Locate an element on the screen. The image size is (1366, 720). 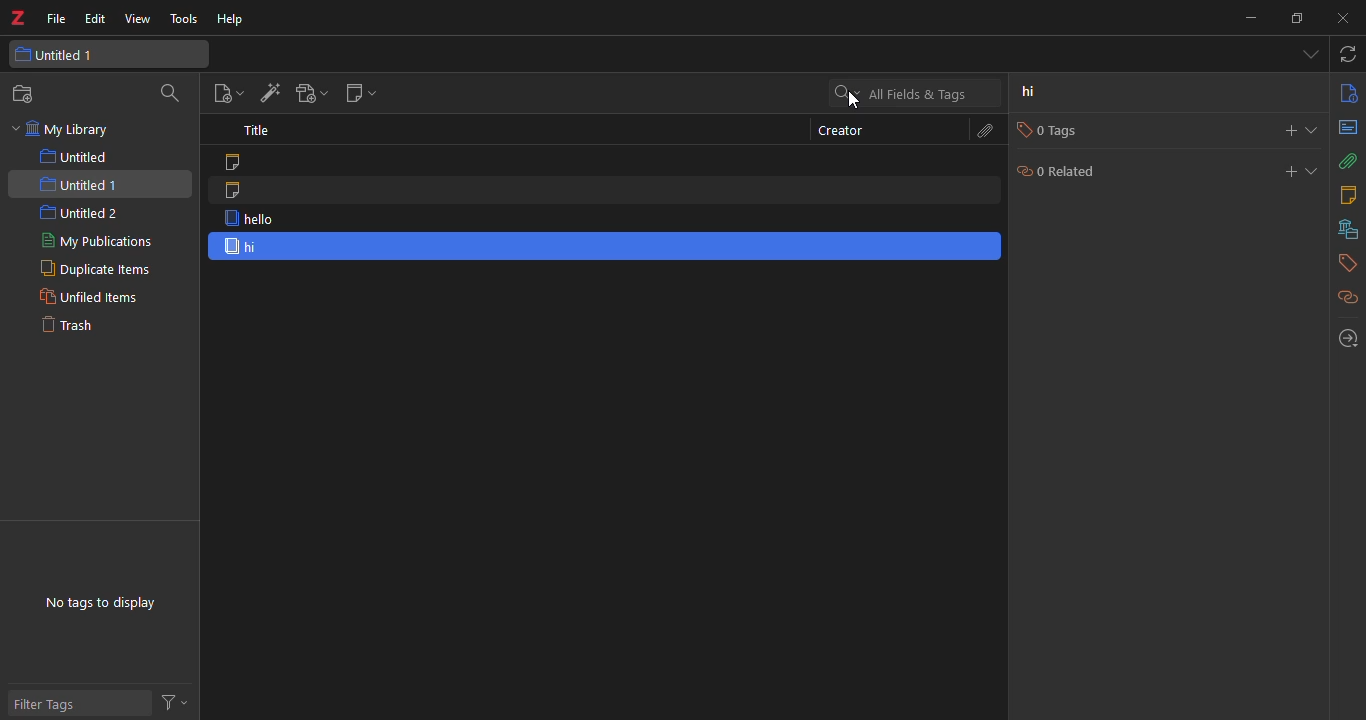
hello is located at coordinates (250, 218).